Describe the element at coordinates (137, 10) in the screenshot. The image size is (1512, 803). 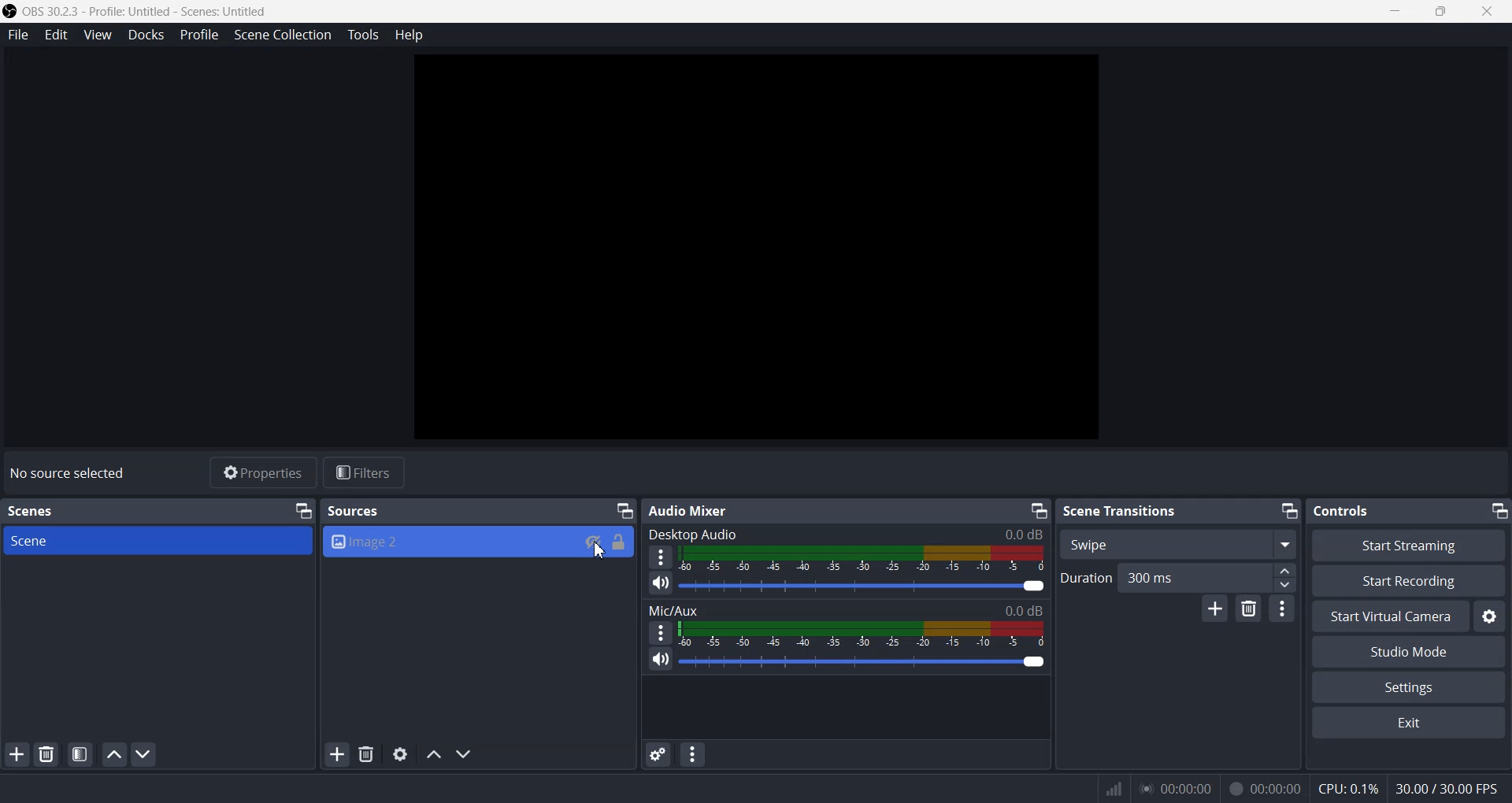
I see `OBS 30.2.3 - Profile: Untitled - Scenes: Untitled` at that location.